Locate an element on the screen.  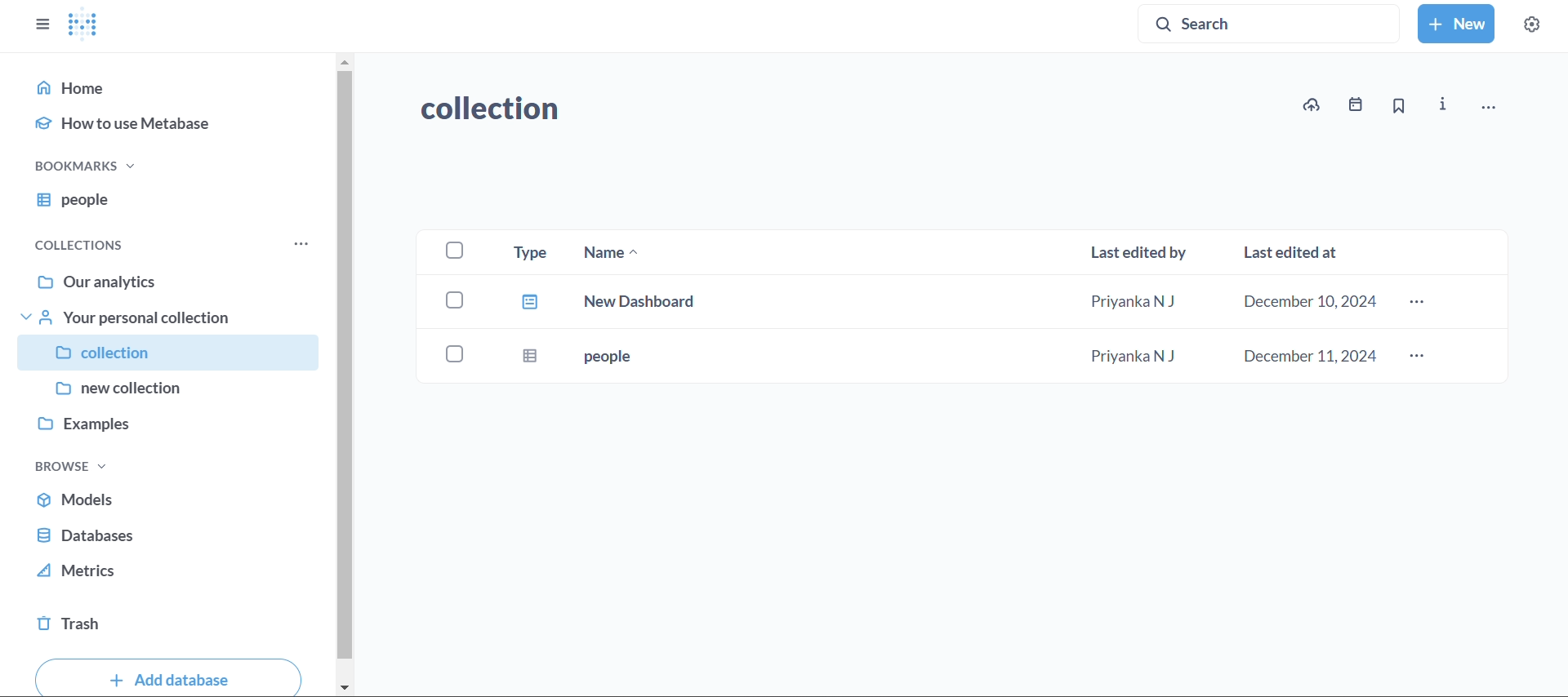
collection is located at coordinates (158, 355).